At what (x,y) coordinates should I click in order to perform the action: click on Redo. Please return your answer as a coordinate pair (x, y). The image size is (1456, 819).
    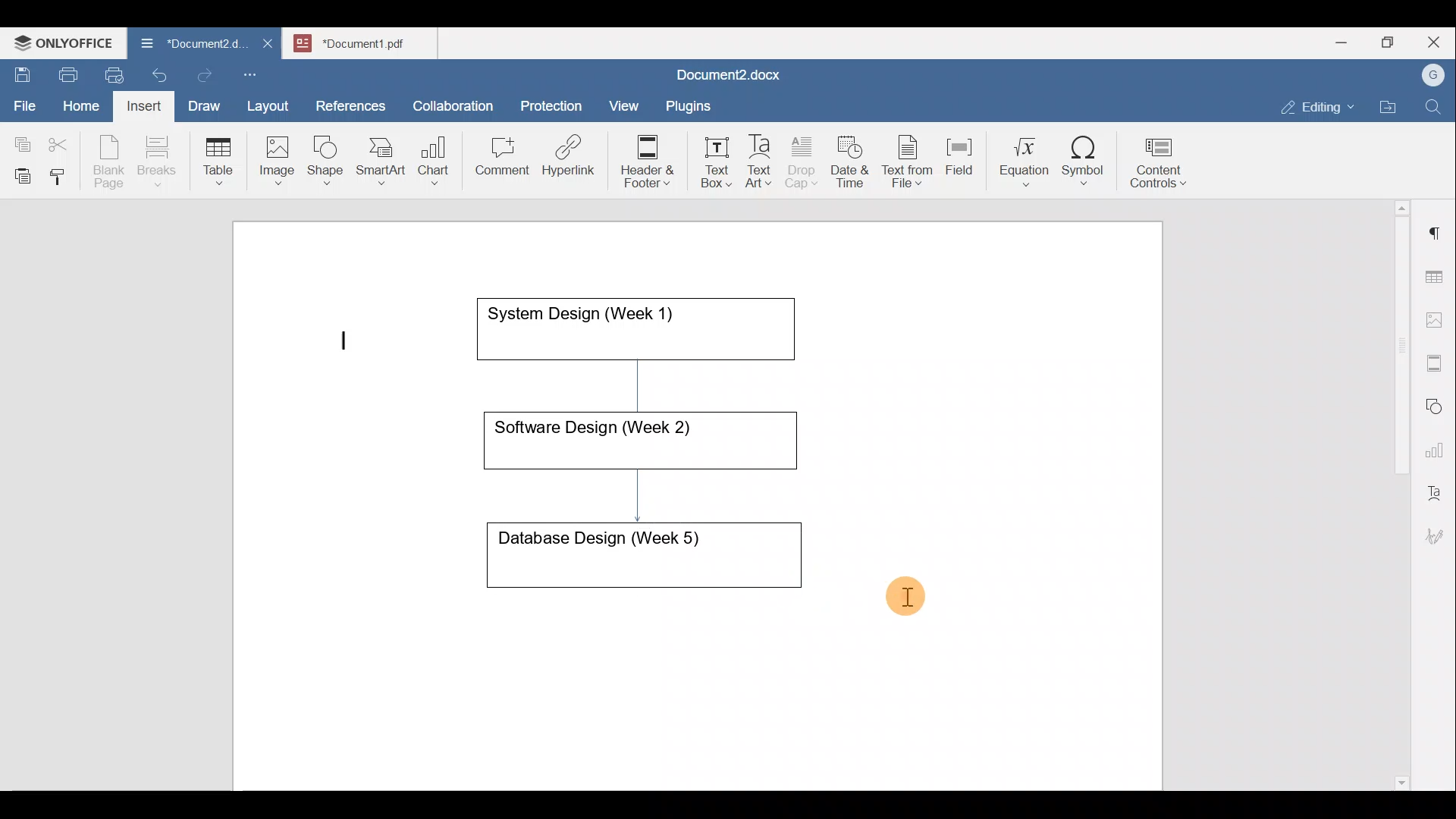
    Looking at the image, I should click on (204, 76).